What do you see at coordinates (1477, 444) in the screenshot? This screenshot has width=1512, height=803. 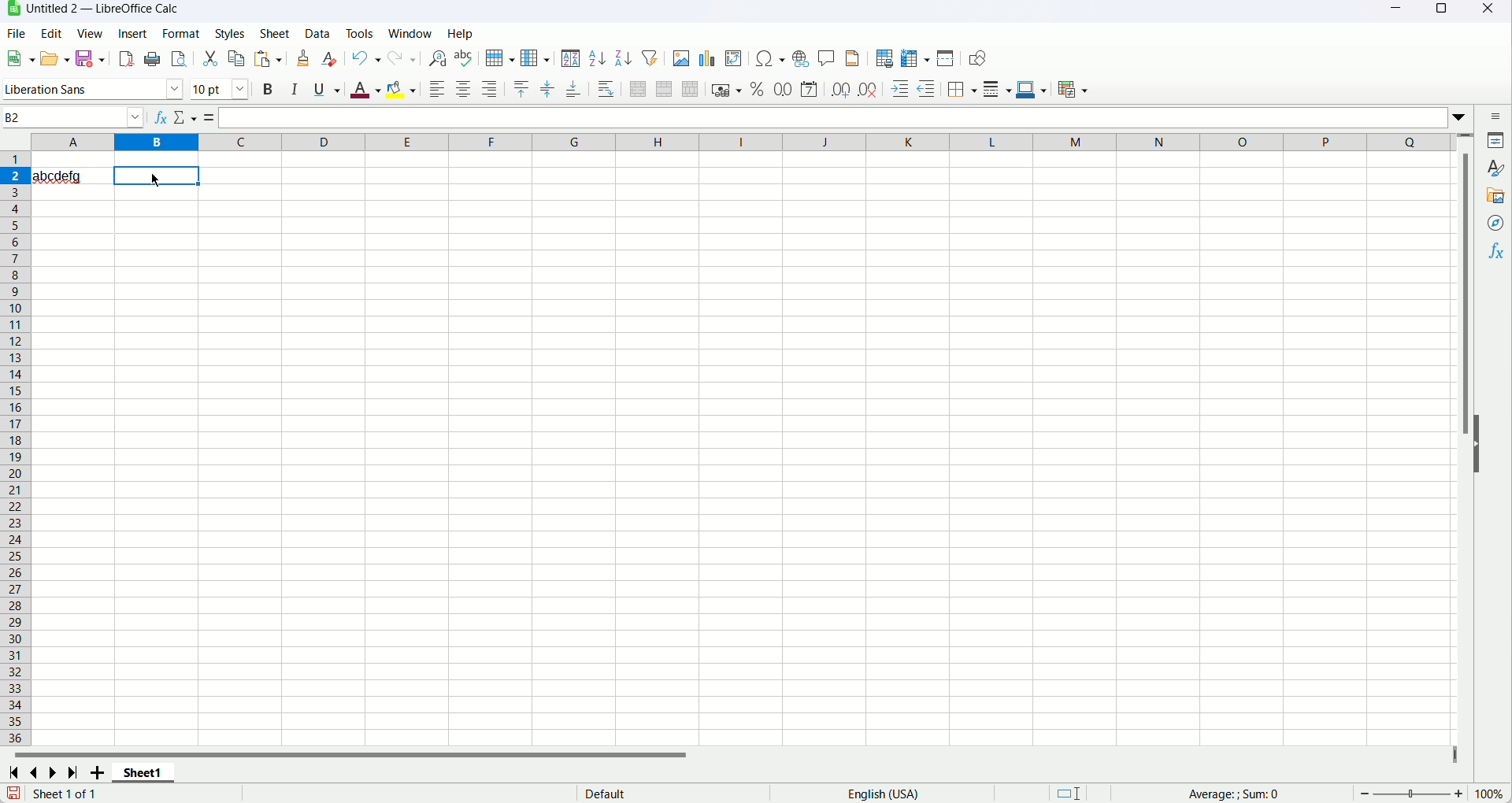 I see `hide` at bounding box center [1477, 444].